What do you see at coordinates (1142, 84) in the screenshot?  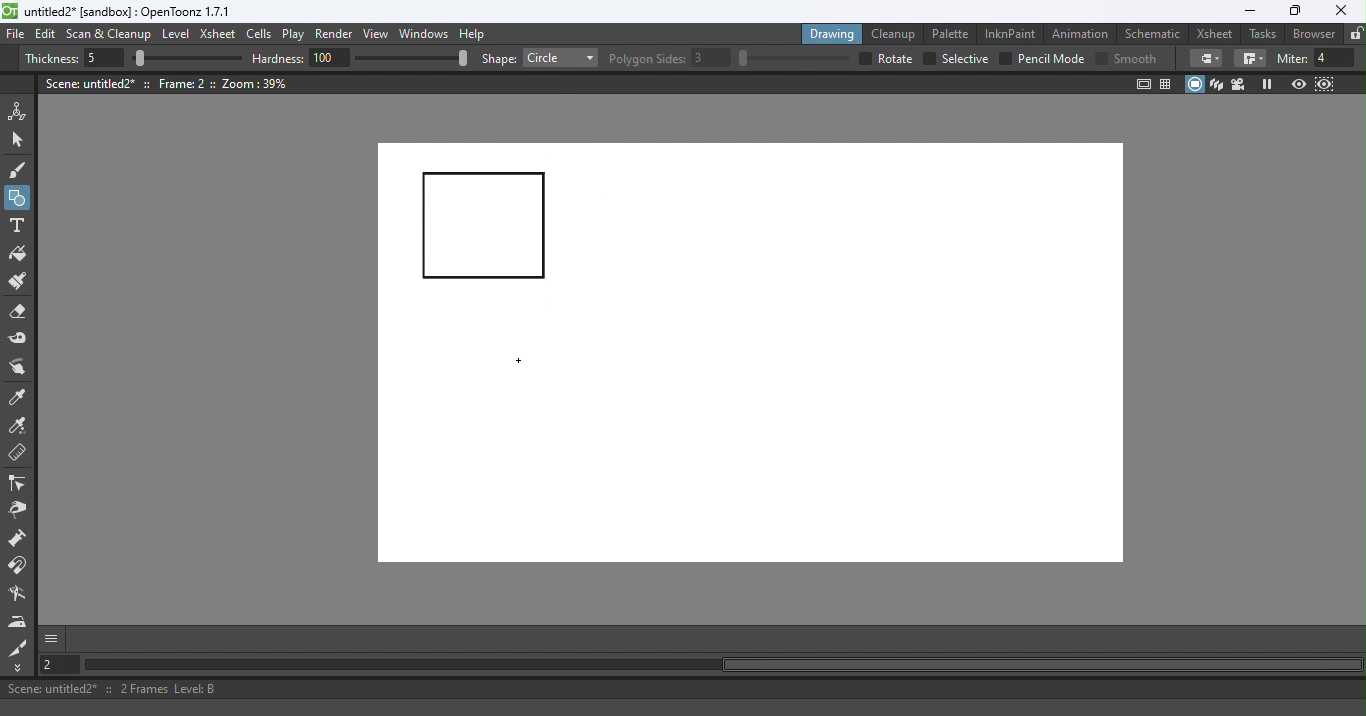 I see `Safe area` at bounding box center [1142, 84].